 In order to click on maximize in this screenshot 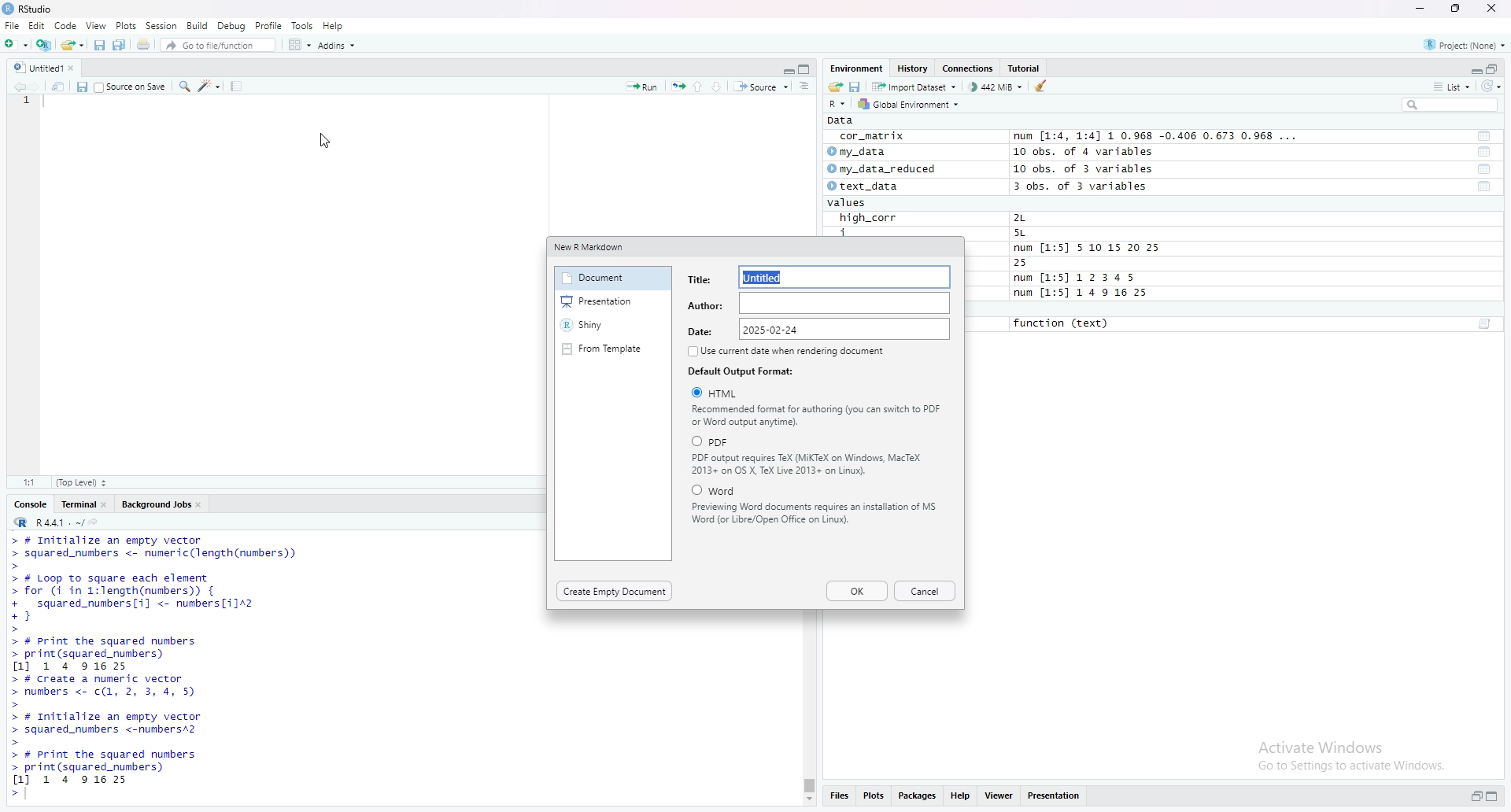, I will do `click(1494, 795)`.